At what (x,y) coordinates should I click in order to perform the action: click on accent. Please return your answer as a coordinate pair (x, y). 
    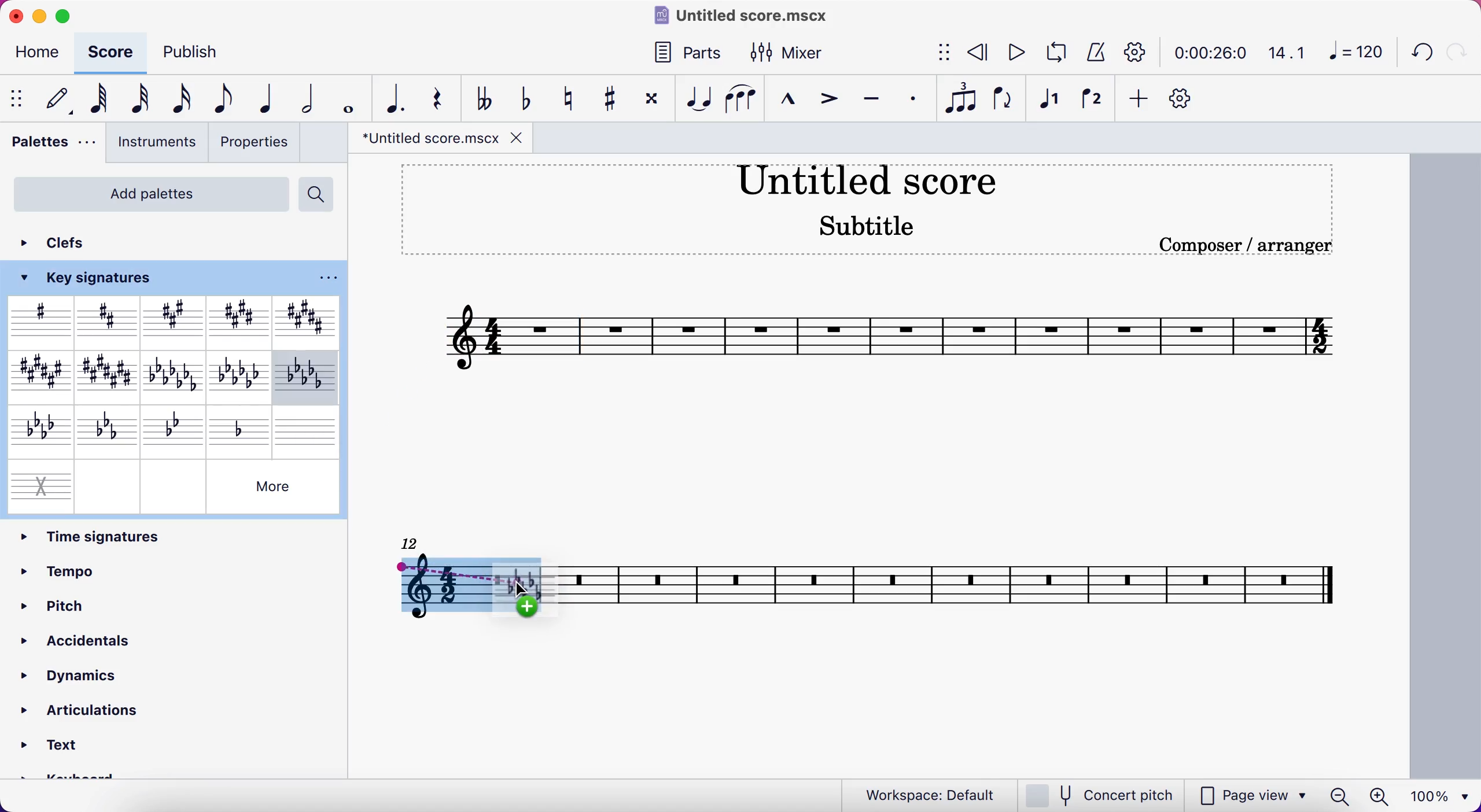
    Looking at the image, I should click on (831, 105).